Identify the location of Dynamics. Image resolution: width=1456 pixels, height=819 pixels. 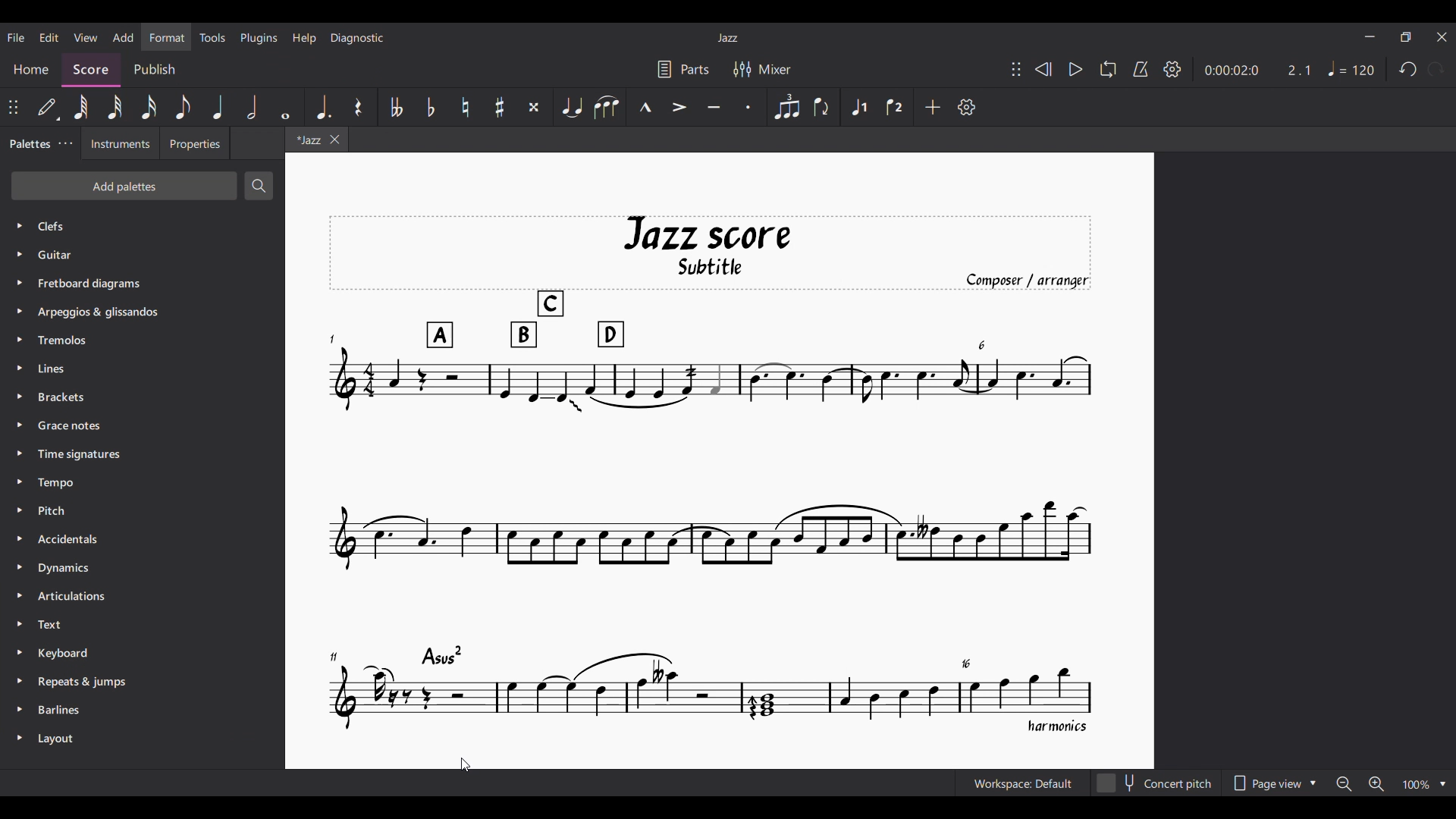
(67, 568).